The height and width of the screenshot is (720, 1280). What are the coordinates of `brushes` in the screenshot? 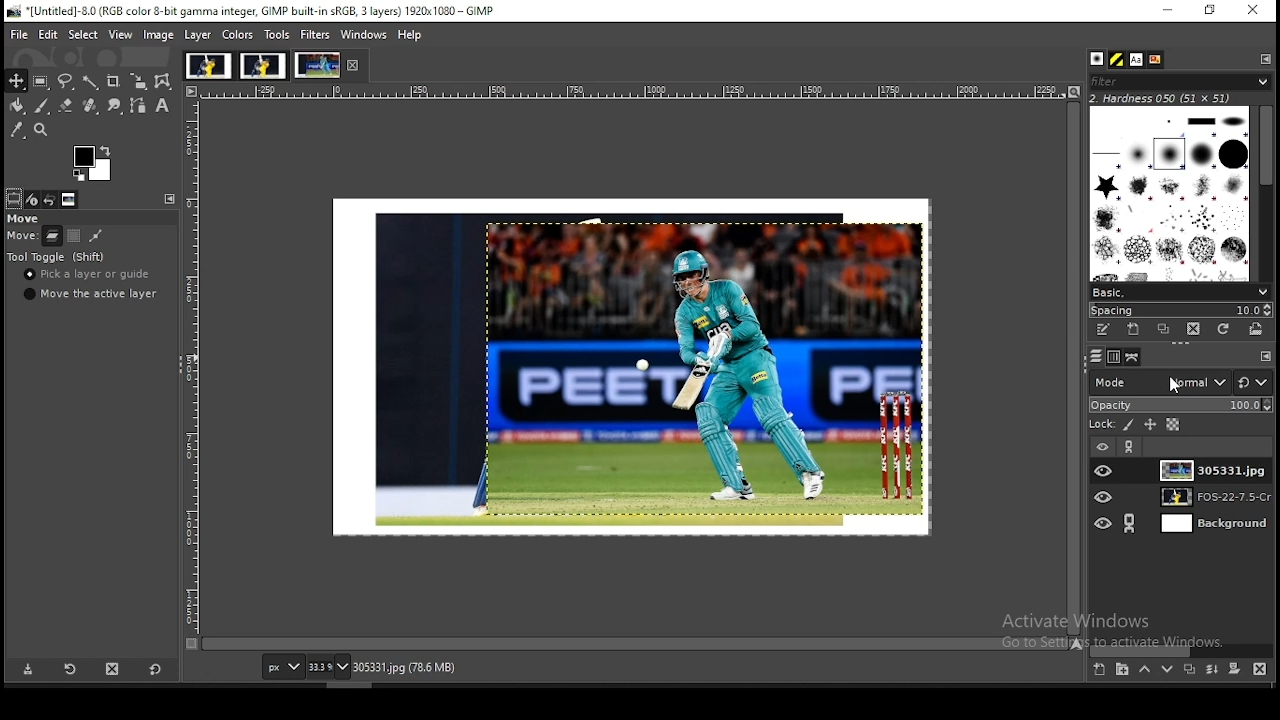 It's located at (1171, 193).